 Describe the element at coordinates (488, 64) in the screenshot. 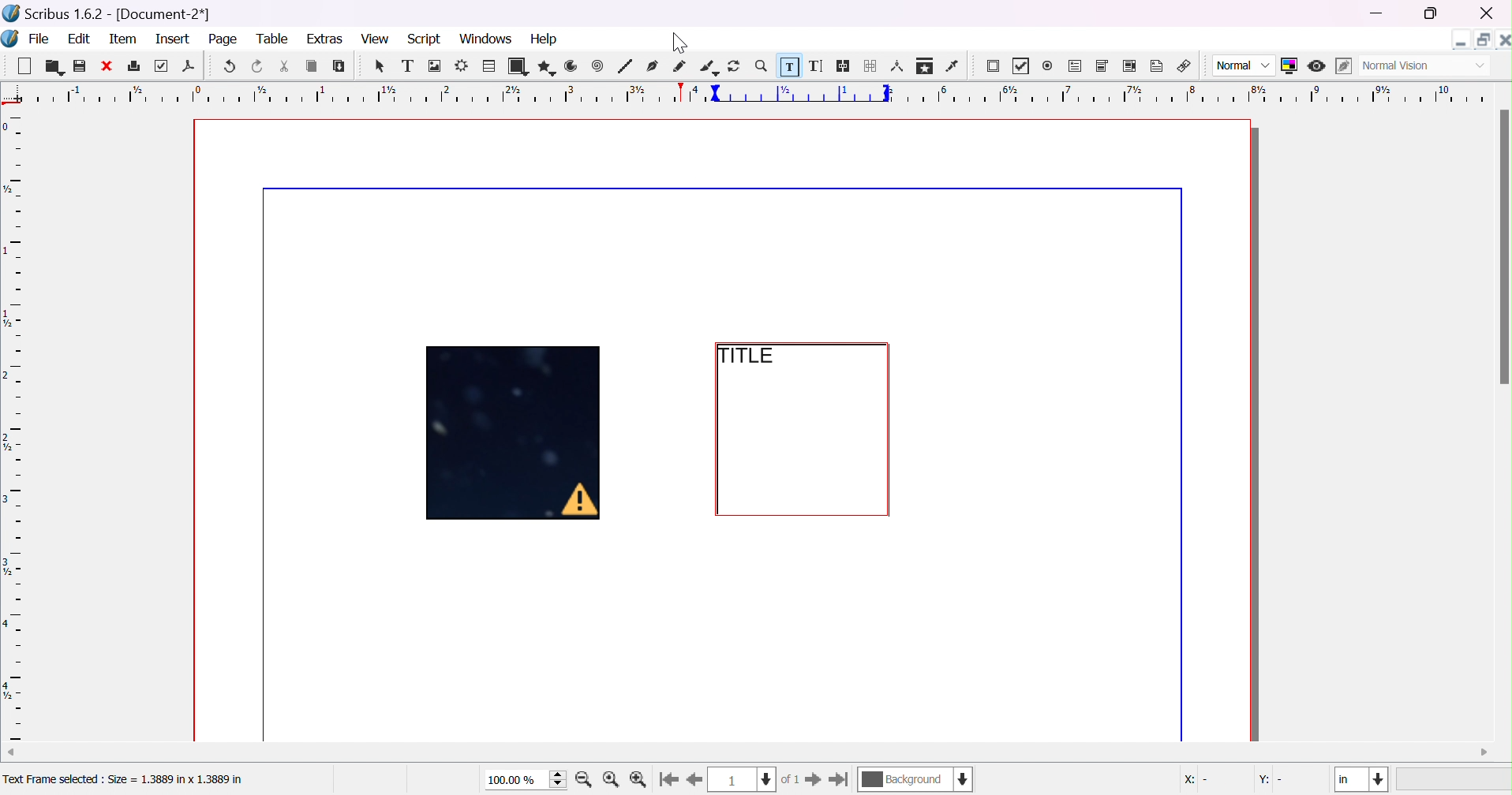

I see `table` at that location.